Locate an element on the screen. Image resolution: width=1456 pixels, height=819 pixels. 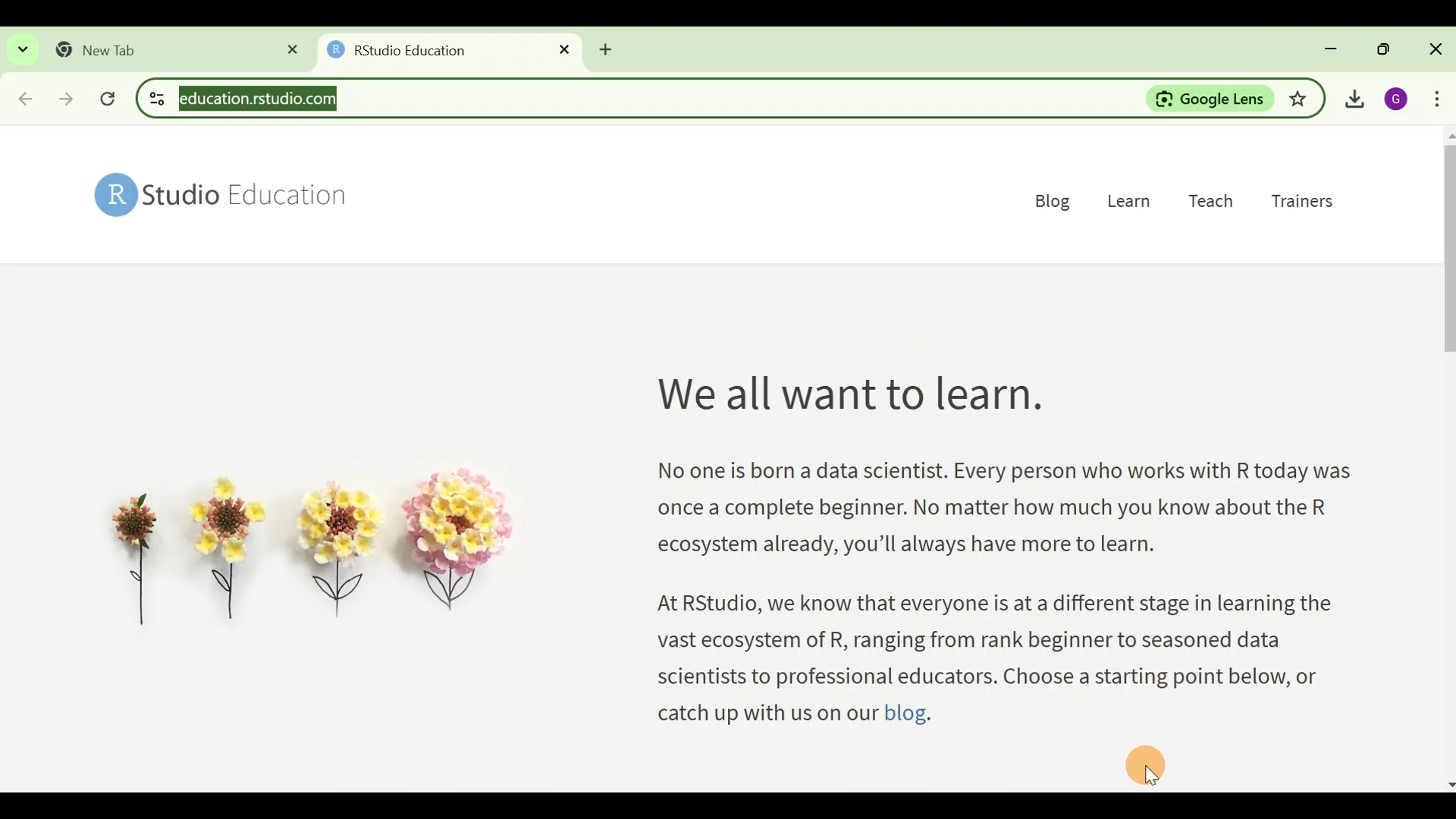
Cursor is located at coordinates (1147, 763).